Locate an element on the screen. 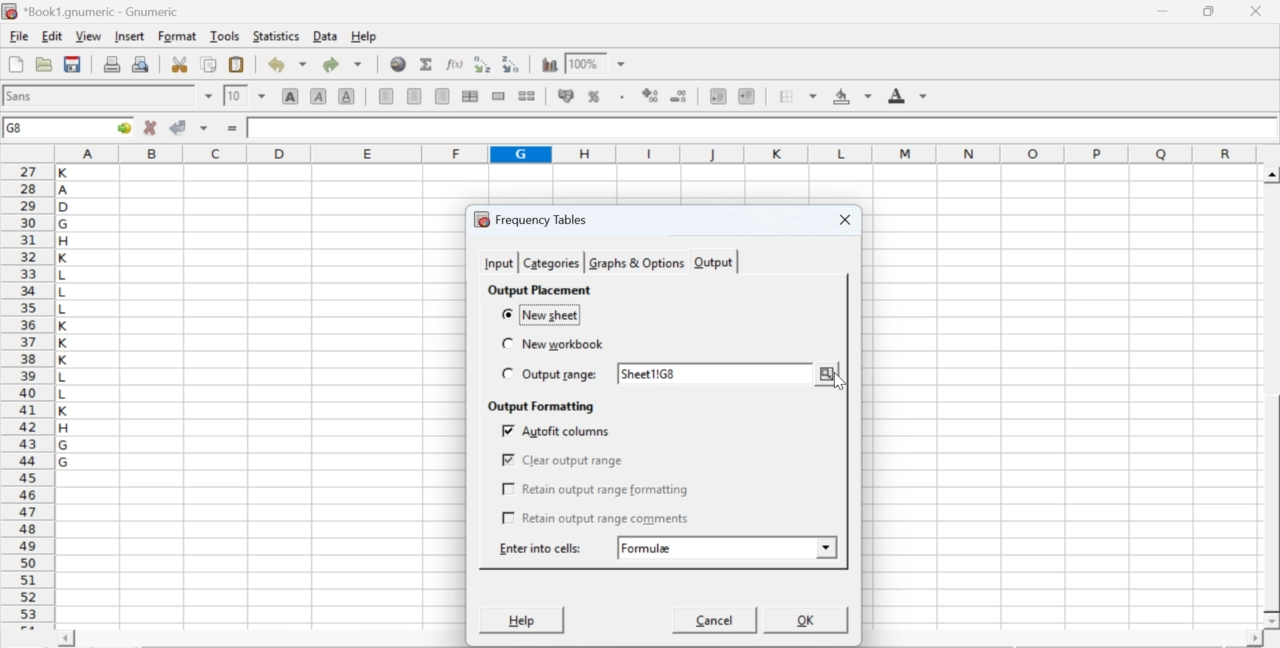 The width and height of the screenshot is (1280, 648). sum in current cell is located at coordinates (427, 63).